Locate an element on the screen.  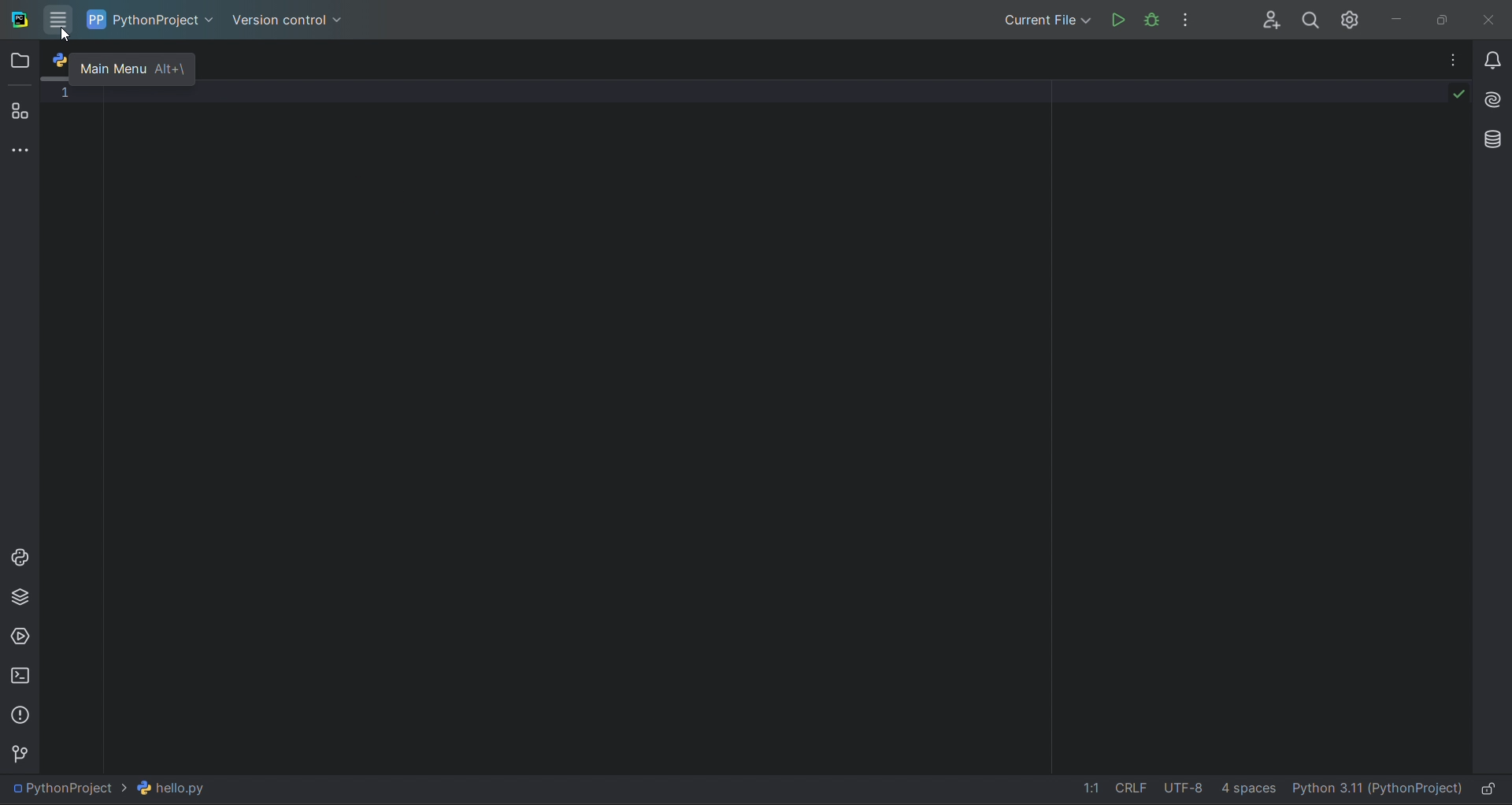
lock is located at coordinates (1492, 789).